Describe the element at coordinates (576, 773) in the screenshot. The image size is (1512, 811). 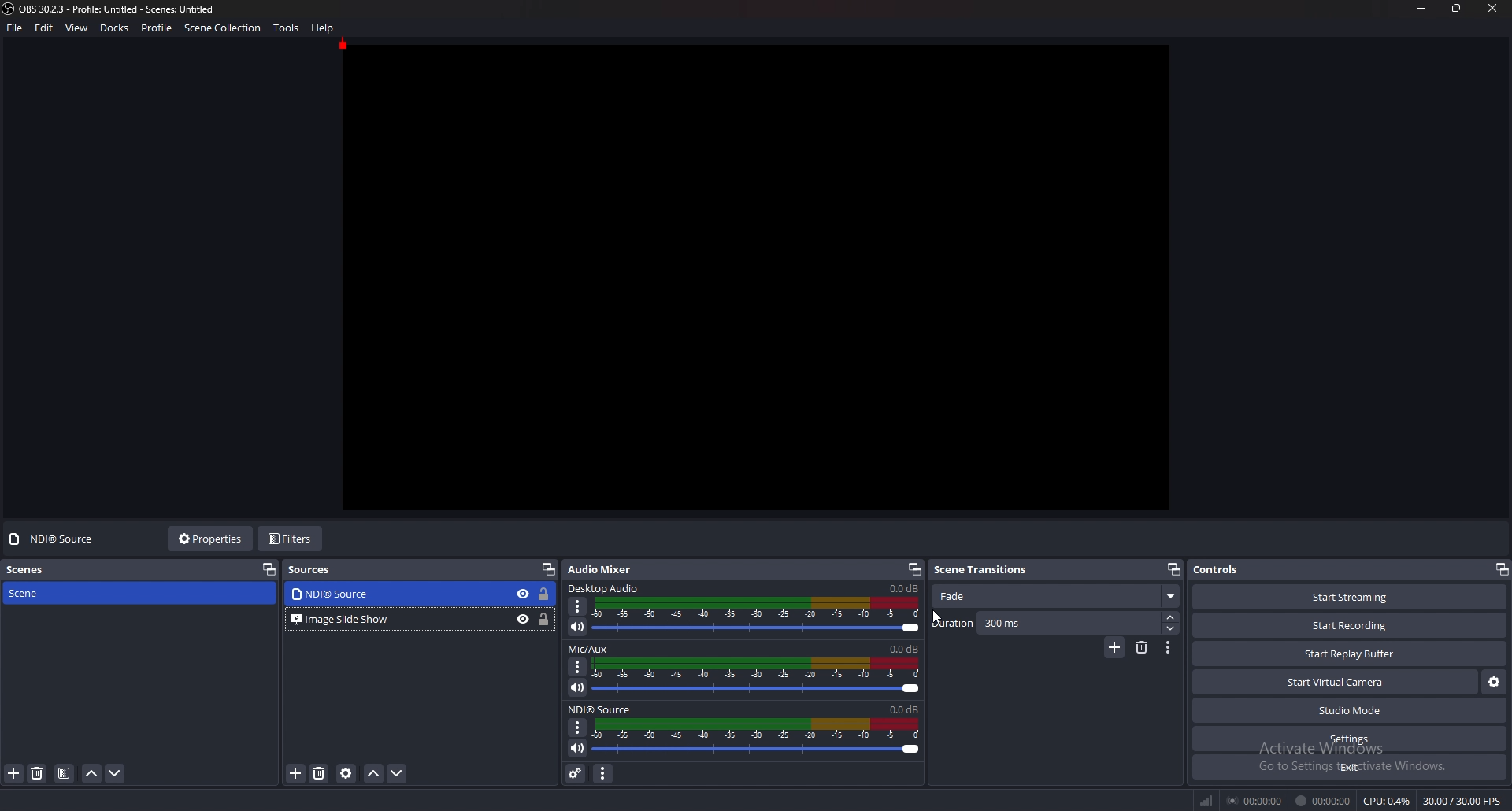
I see `advanced audio properties` at that location.